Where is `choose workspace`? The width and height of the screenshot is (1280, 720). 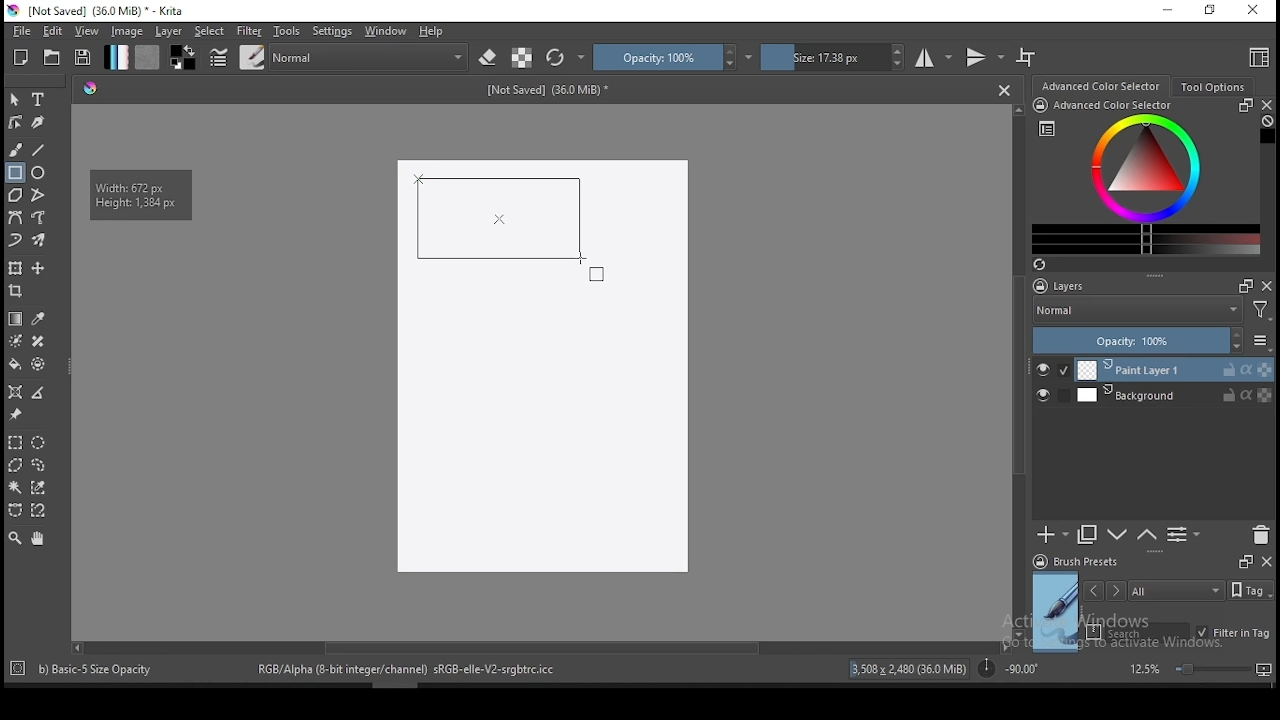 choose workspace is located at coordinates (1257, 57).